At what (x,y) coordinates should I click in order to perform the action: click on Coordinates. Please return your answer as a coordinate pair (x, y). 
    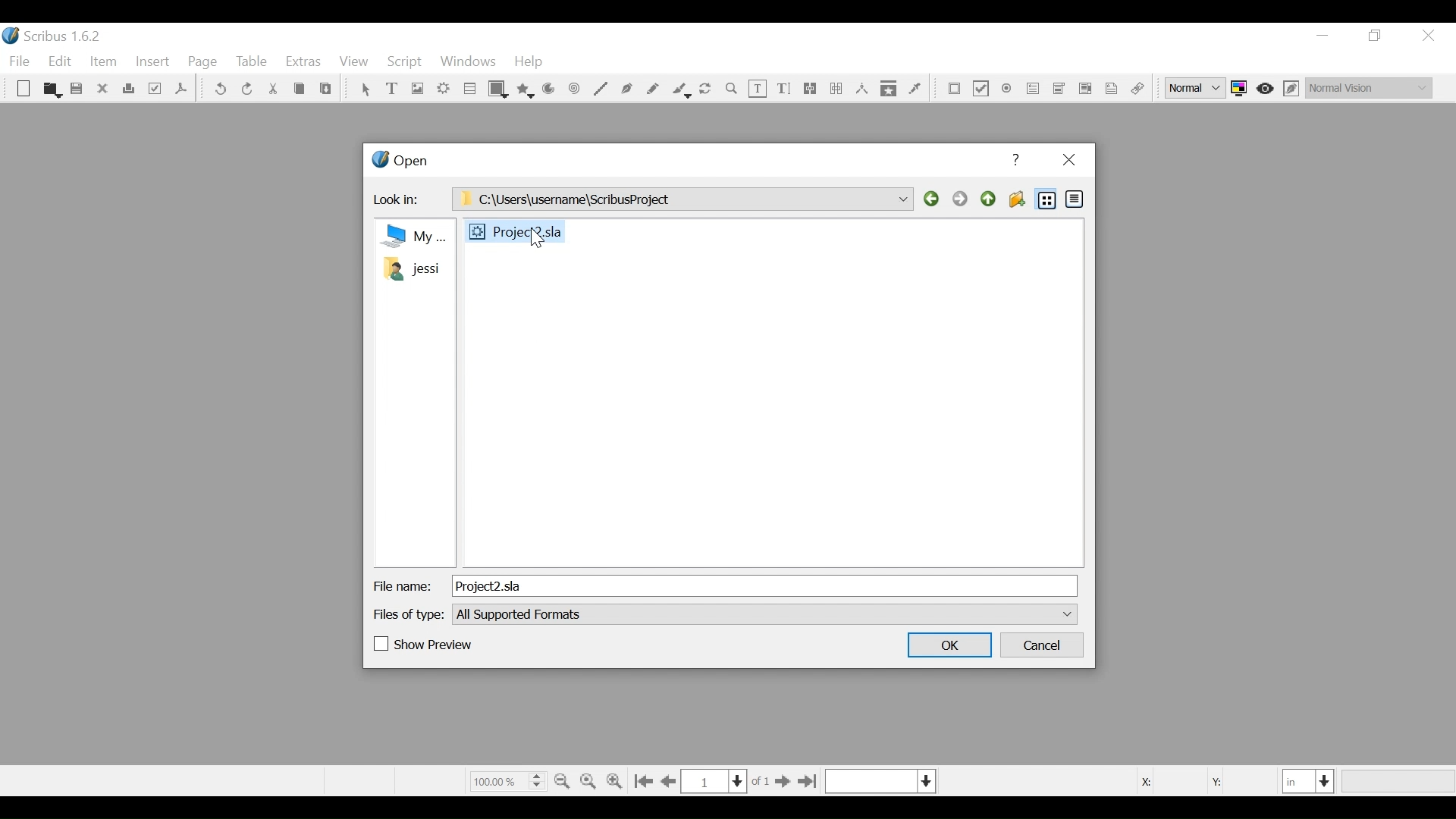
    Looking at the image, I should click on (1197, 780).